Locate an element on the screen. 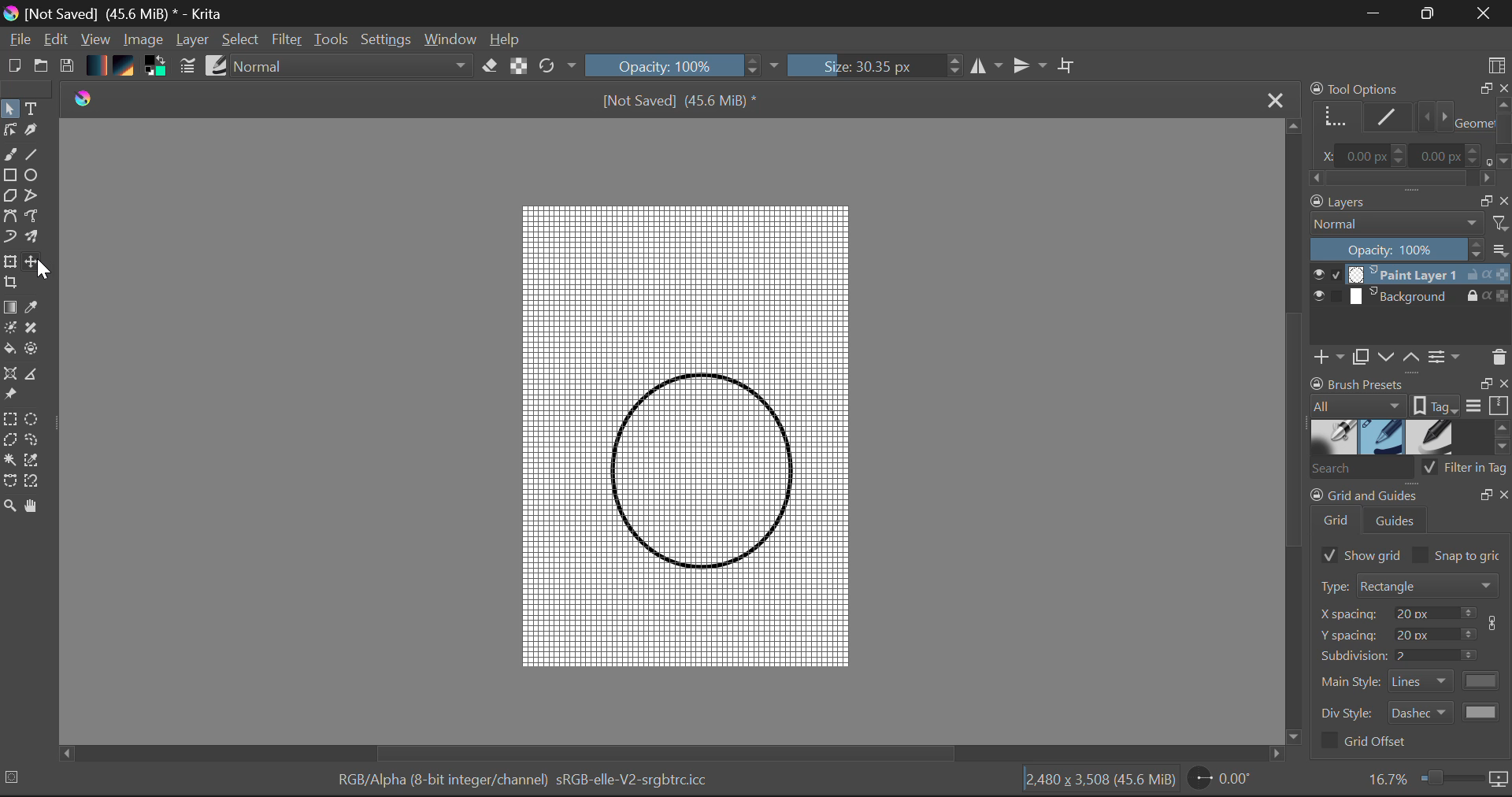 This screenshot has width=1512, height=797. Settings is located at coordinates (387, 42).